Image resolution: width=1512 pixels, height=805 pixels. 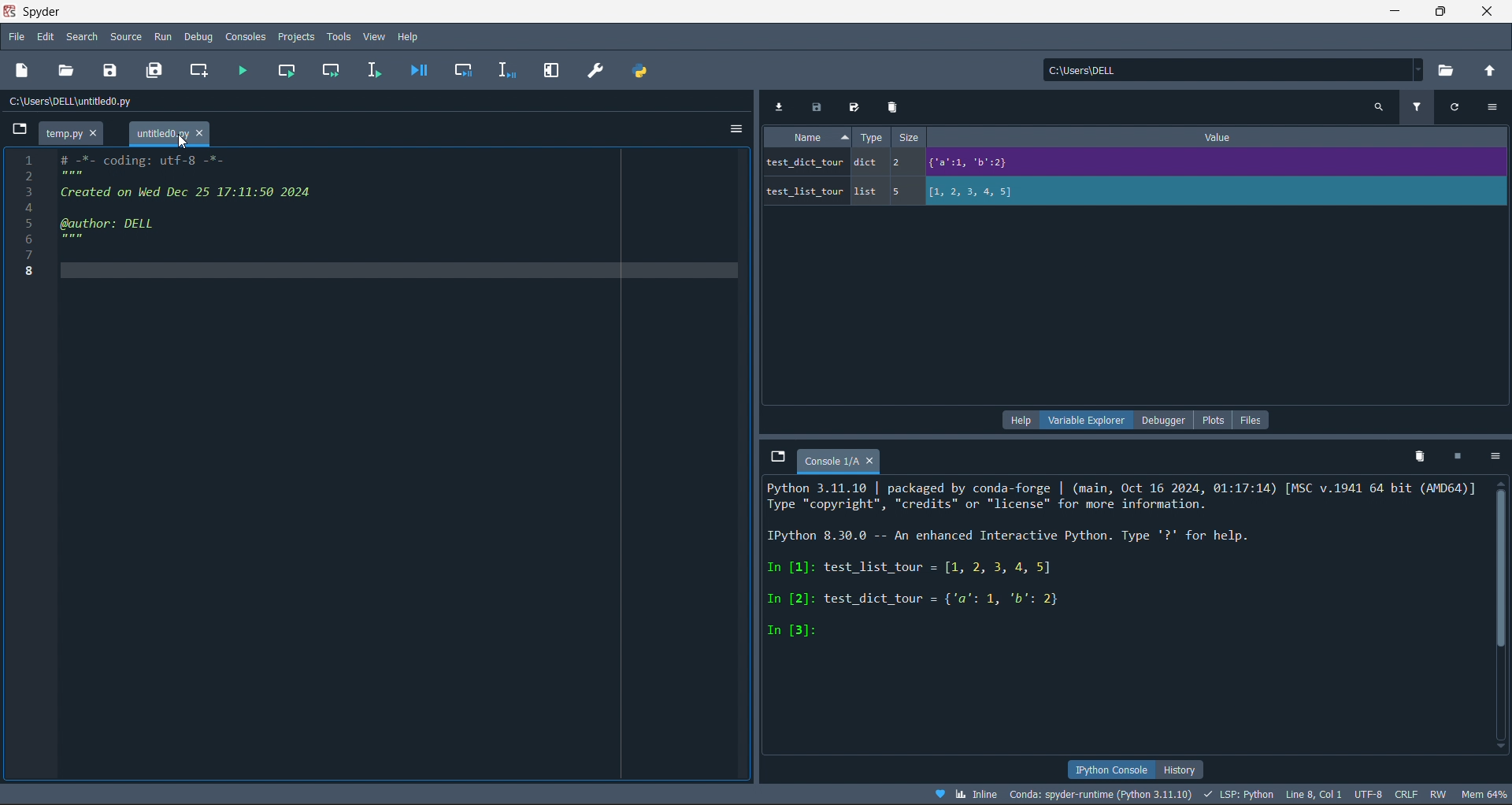 What do you see at coordinates (1090, 73) in the screenshot?
I see `C:\Users\DELL` at bounding box center [1090, 73].